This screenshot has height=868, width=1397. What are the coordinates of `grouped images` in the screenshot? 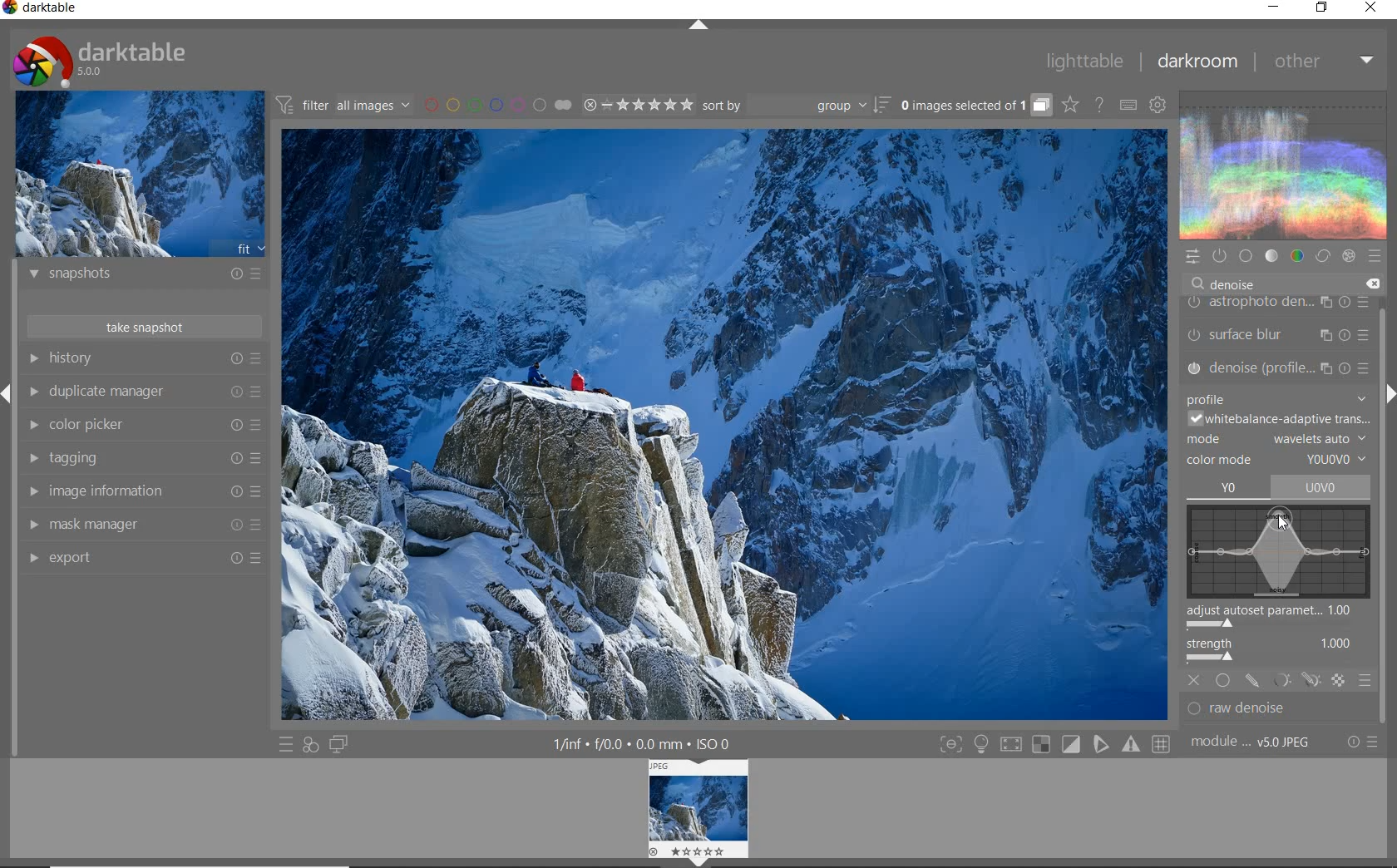 It's located at (975, 105).